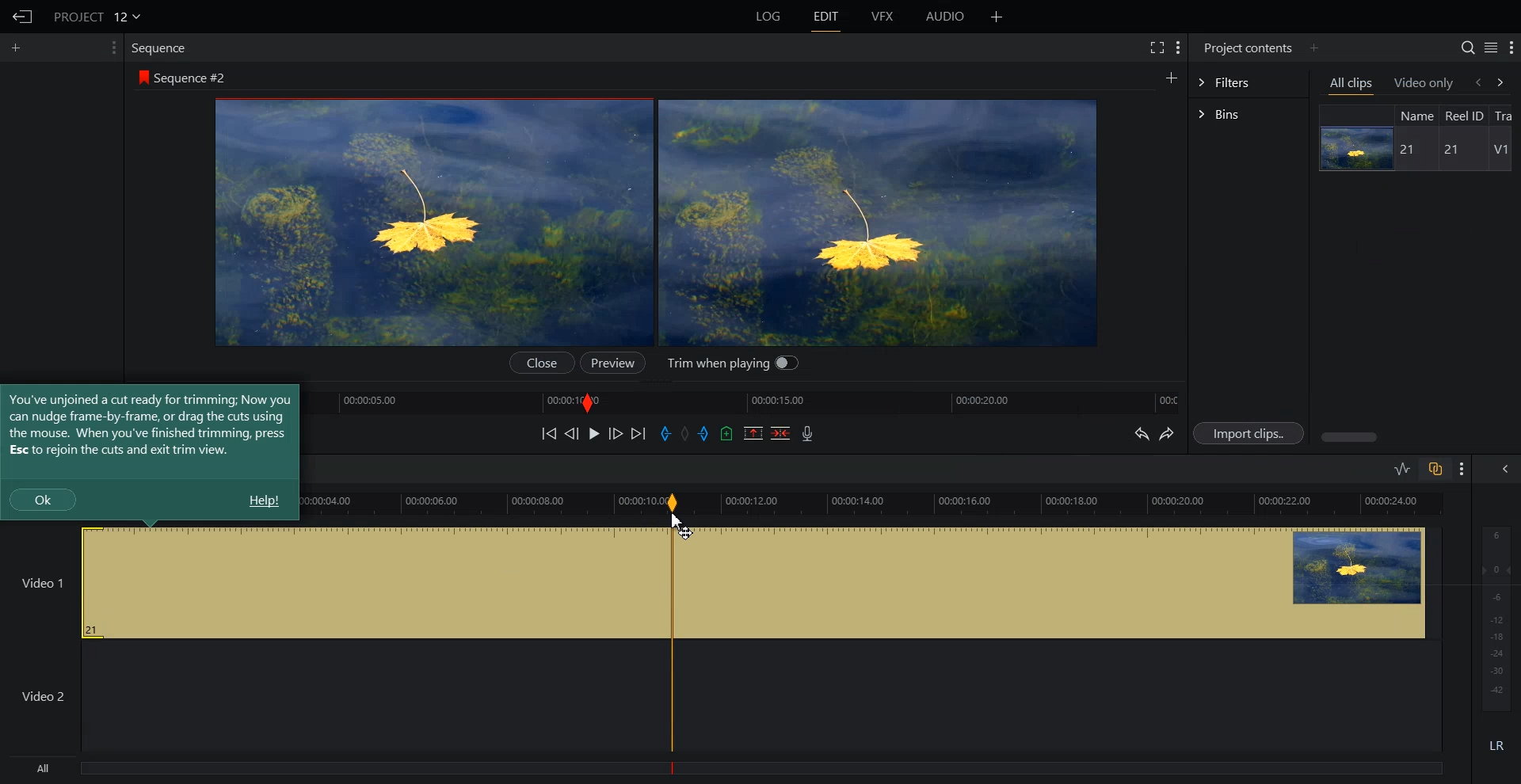 The width and height of the screenshot is (1521, 784). I want to click on Video clip, so click(911, 582).